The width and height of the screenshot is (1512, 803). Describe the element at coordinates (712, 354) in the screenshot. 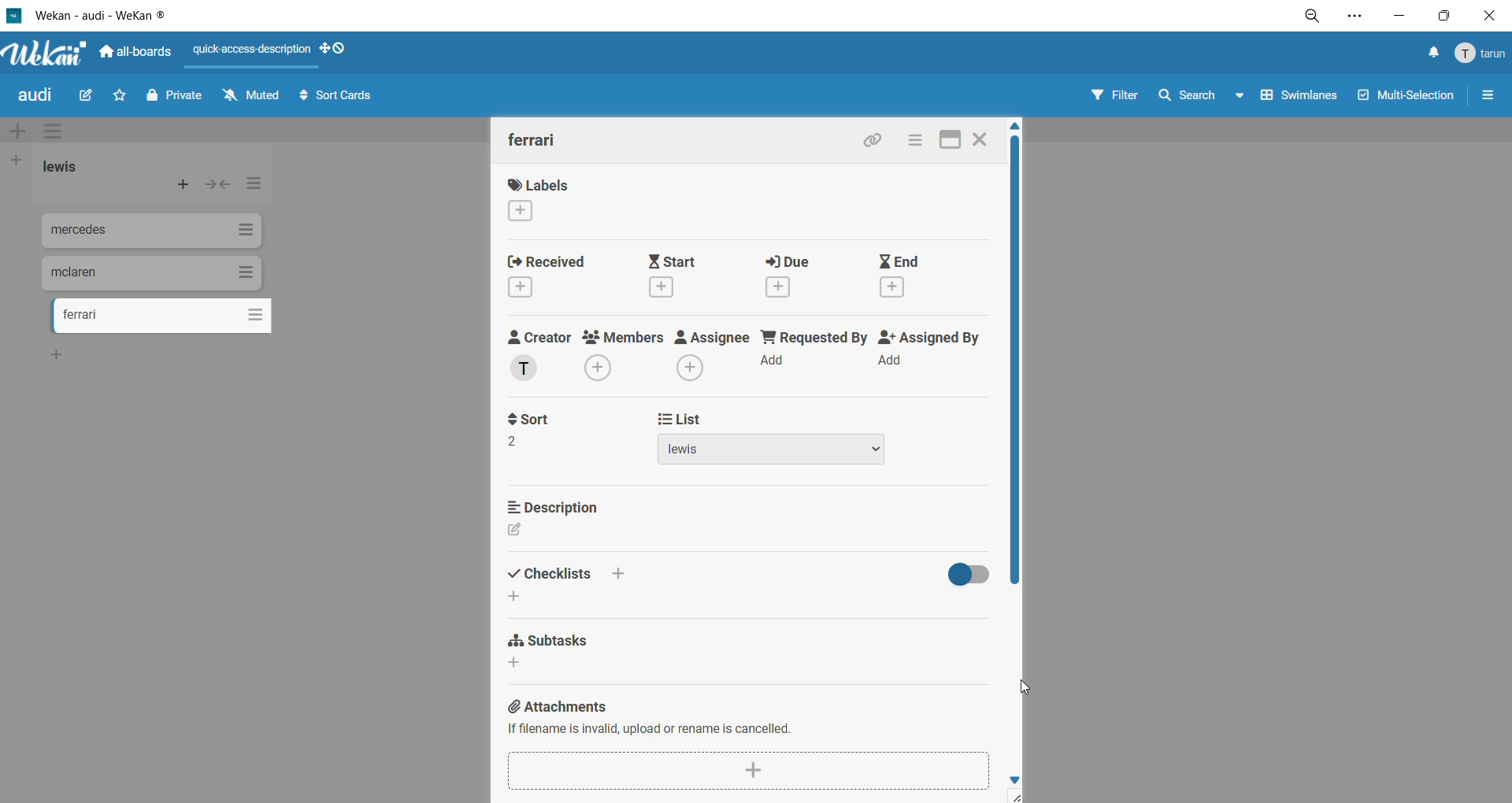

I see `assignee` at that location.